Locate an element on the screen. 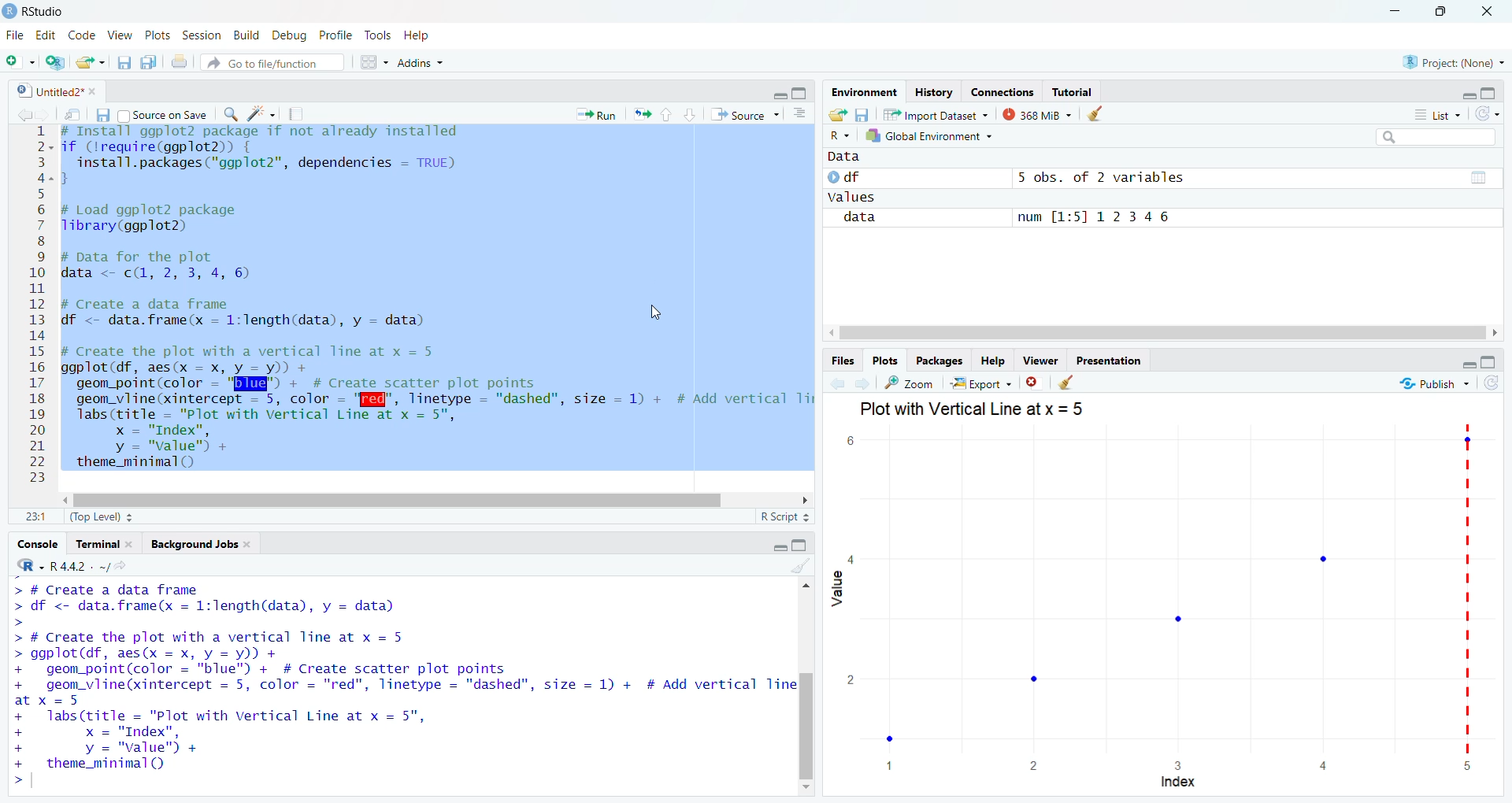 Image resolution: width=1512 pixels, height=803 pixels. Packages is located at coordinates (932, 359).